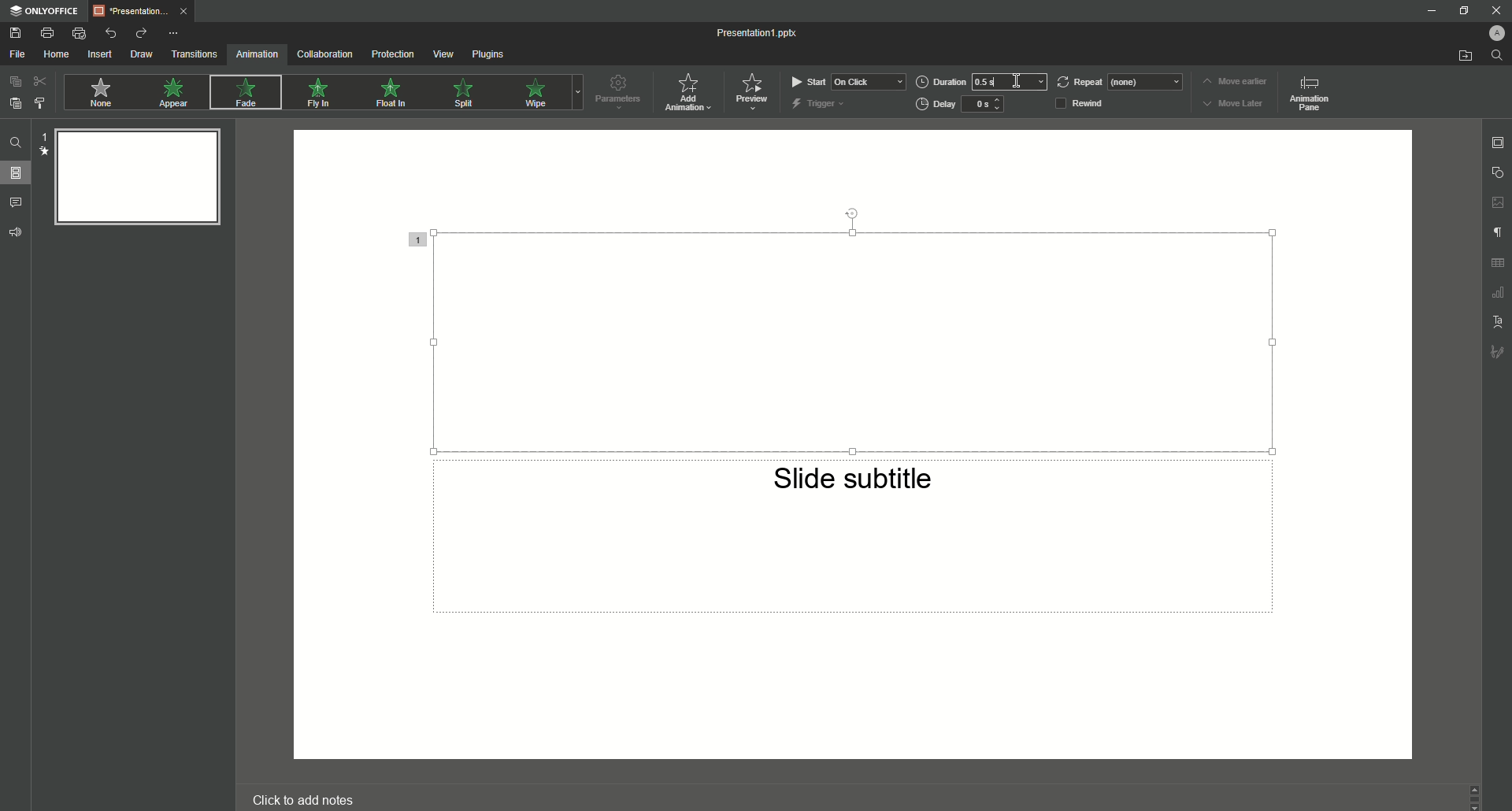 The image size is (1512, 811). Describe the element at coordinates (47, 11) in the screenshot. I see `ONLYOFFICE` at that location.